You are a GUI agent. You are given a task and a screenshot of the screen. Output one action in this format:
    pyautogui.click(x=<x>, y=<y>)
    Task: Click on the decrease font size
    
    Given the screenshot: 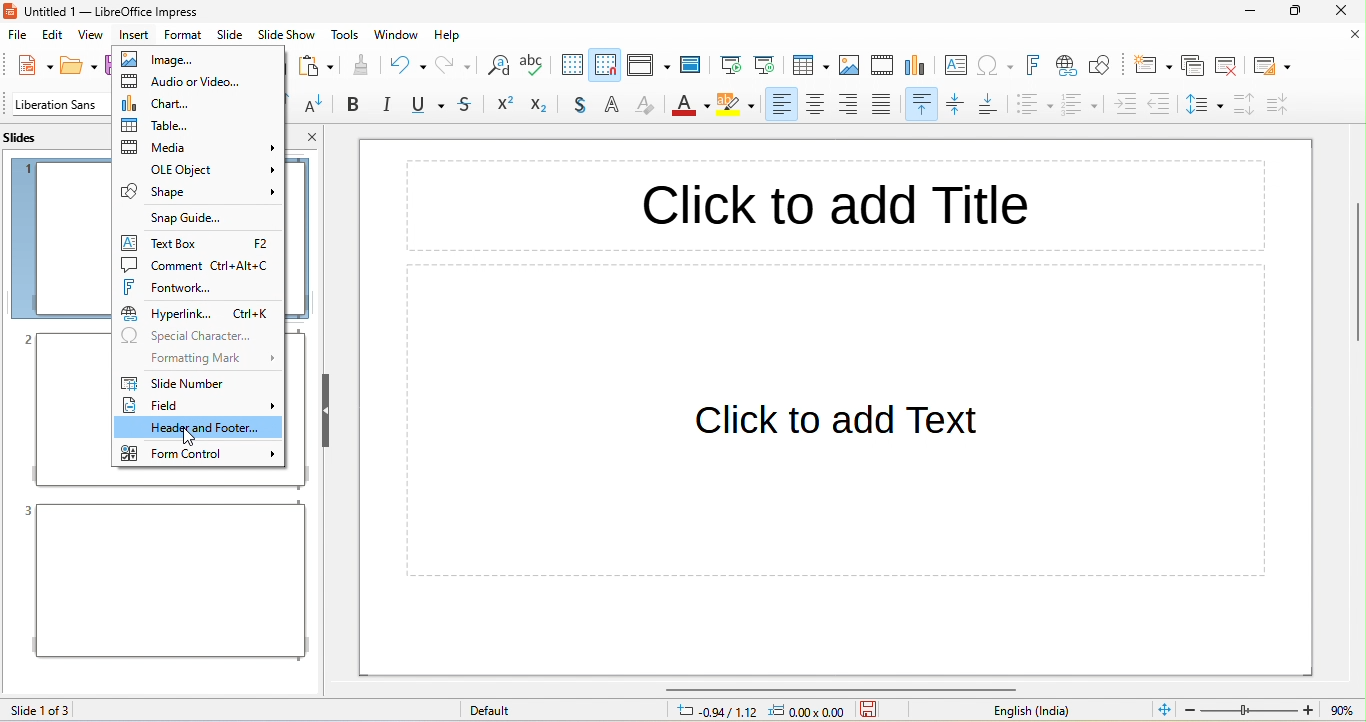 What is the action you would take?
    pyautogui.click(x=317, y=105)
    